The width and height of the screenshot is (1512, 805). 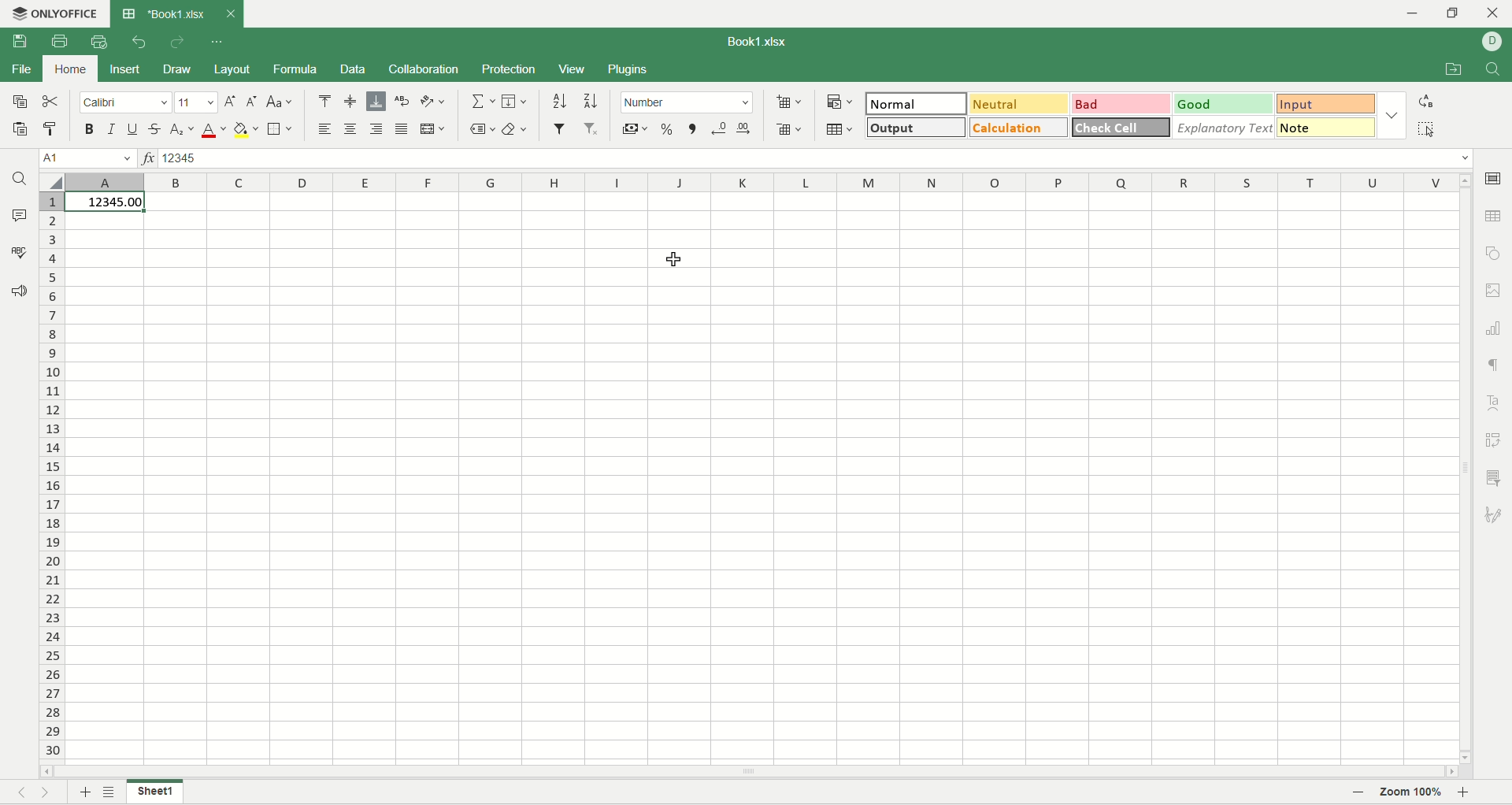 What do you see at coordinates (403, 102) in the screenshot?
I see `wrap text` at bounding box center [403, 102].